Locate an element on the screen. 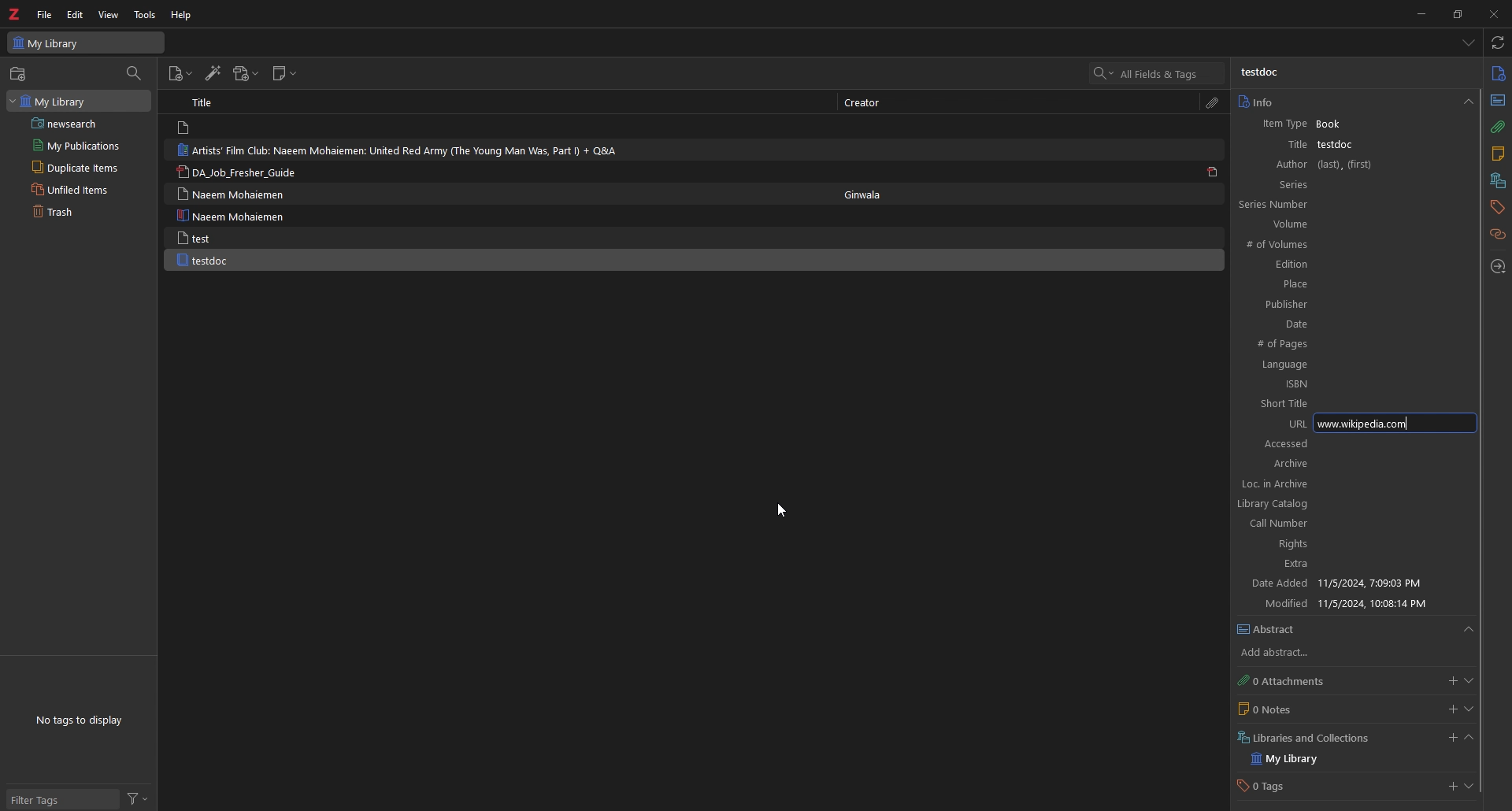  Archive is located at coordinates (1269, 465).